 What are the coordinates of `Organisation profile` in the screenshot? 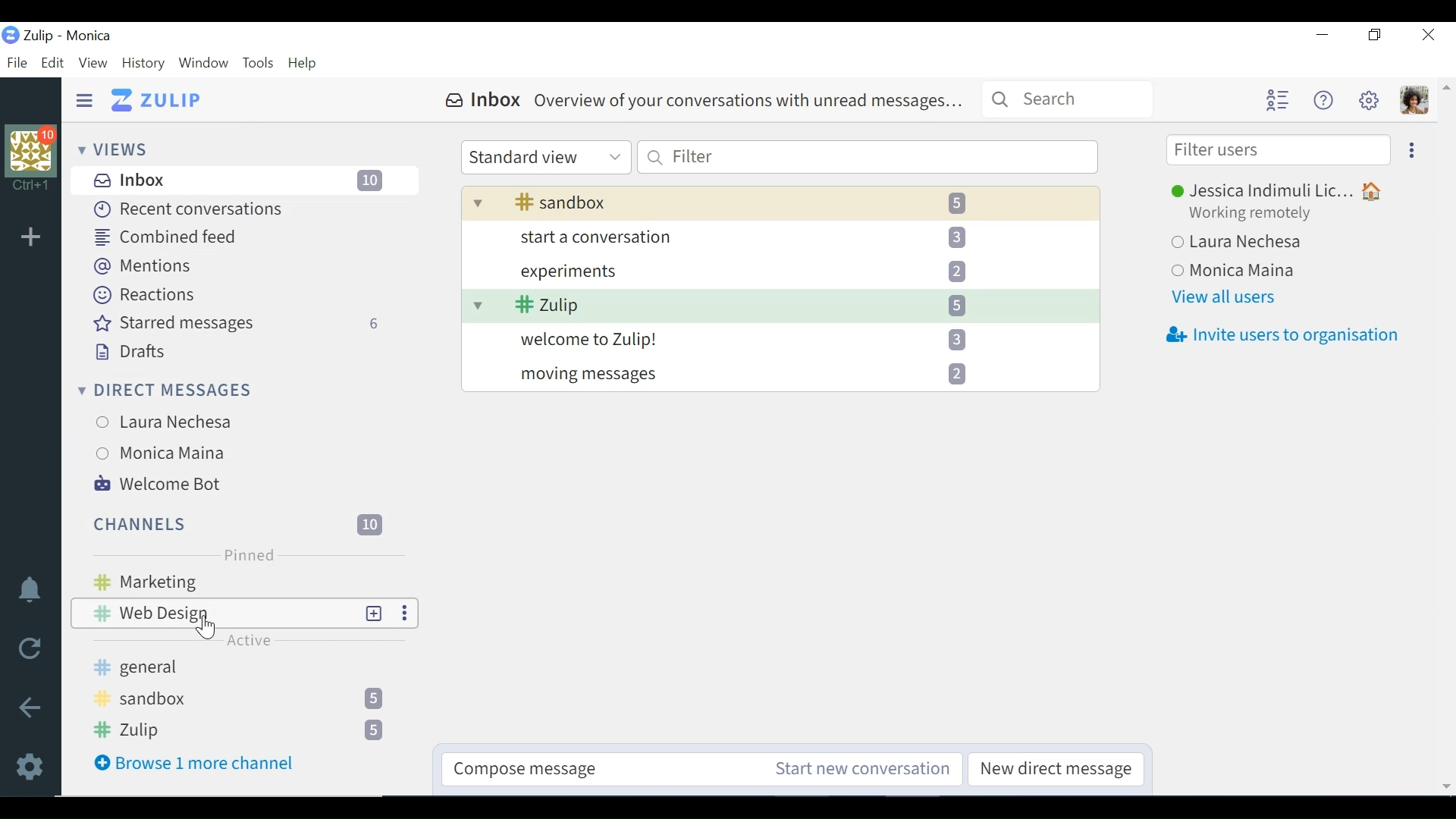 It's located at (36, 159).